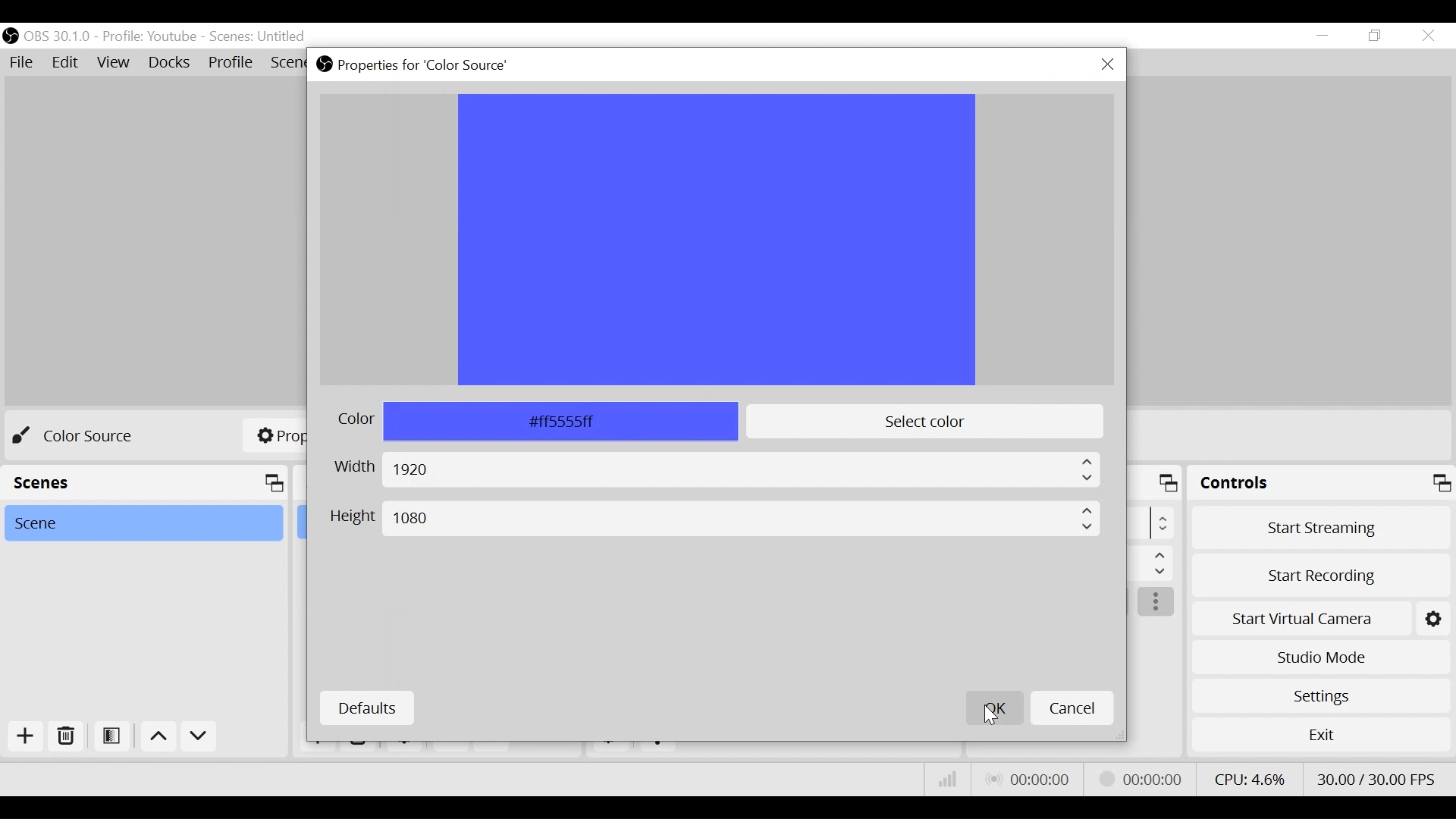 The height and width of the screenshot is (819, 1456). What do you see at coordinates (1321, 531) in the screenshot?
I see `Start Streaming` at bounding box center [1321, 531].